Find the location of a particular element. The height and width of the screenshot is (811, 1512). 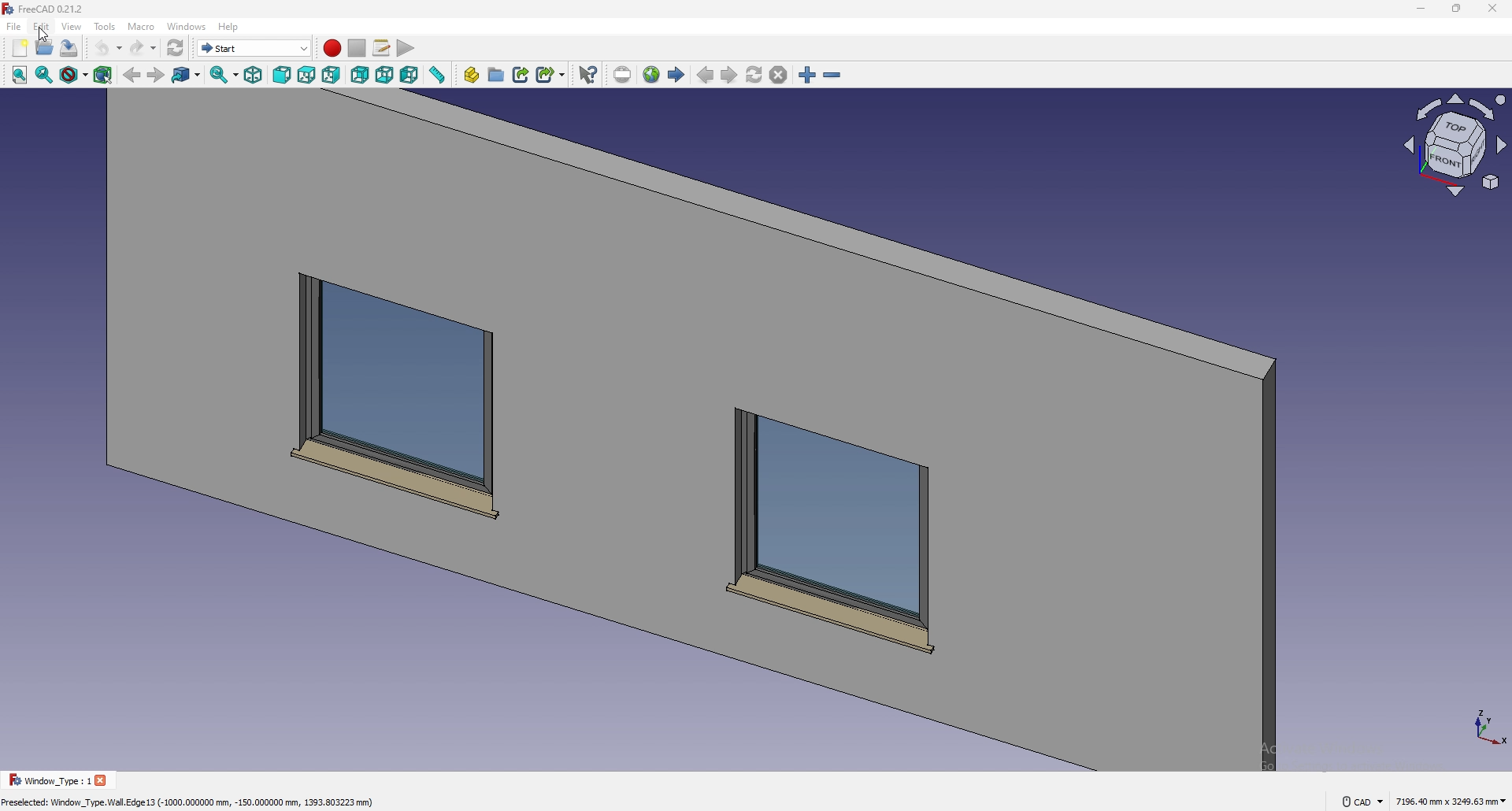

start page is located at coordinates (677, 75).